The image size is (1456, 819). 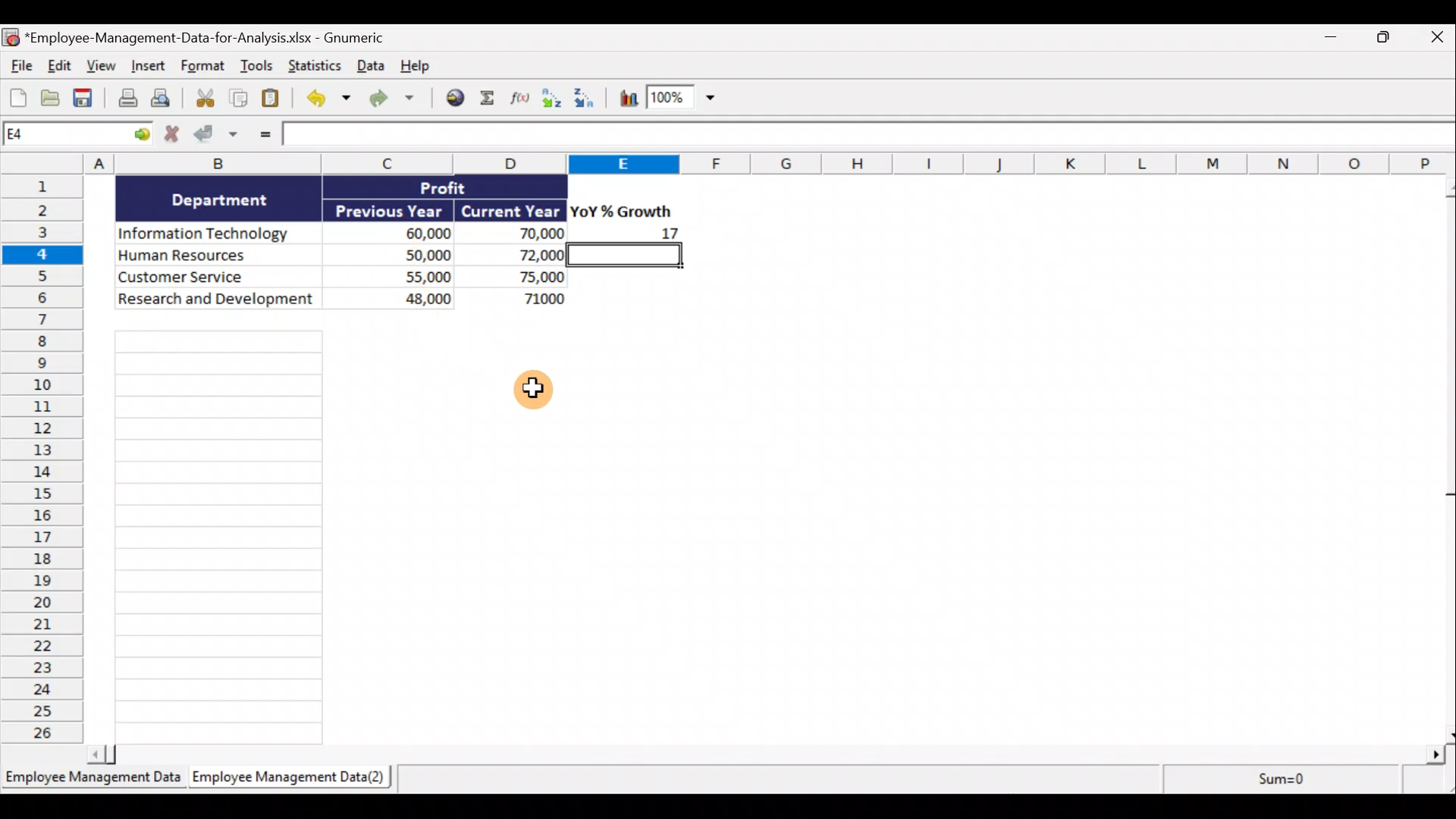 What do you see at coordinates (524, 102) in the screenshot?
I see `Edit a function in the current cell` at bounding box center [524, 102].